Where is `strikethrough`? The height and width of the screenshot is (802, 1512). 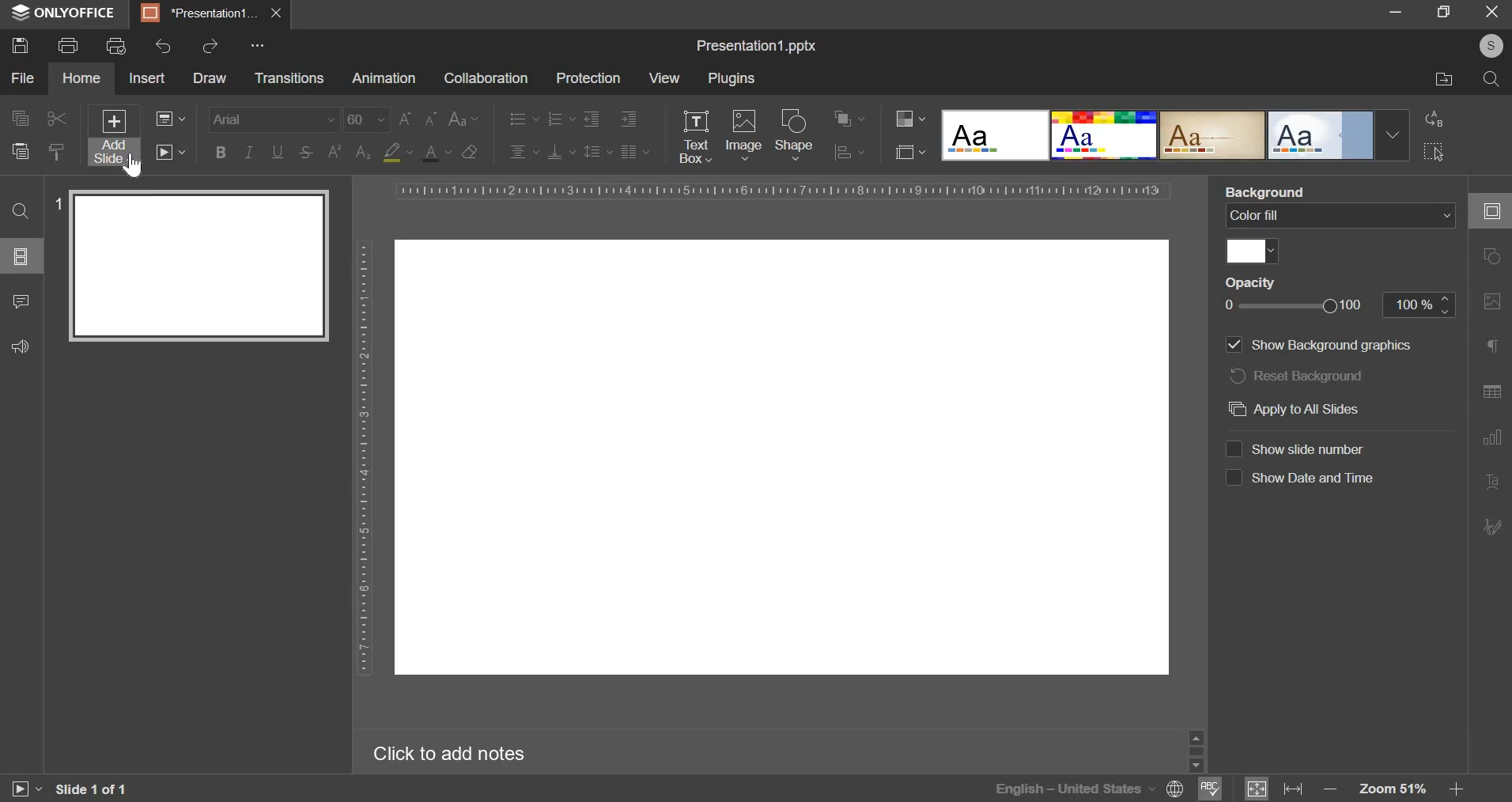
strikethrough is located at coordinates (304, 153).